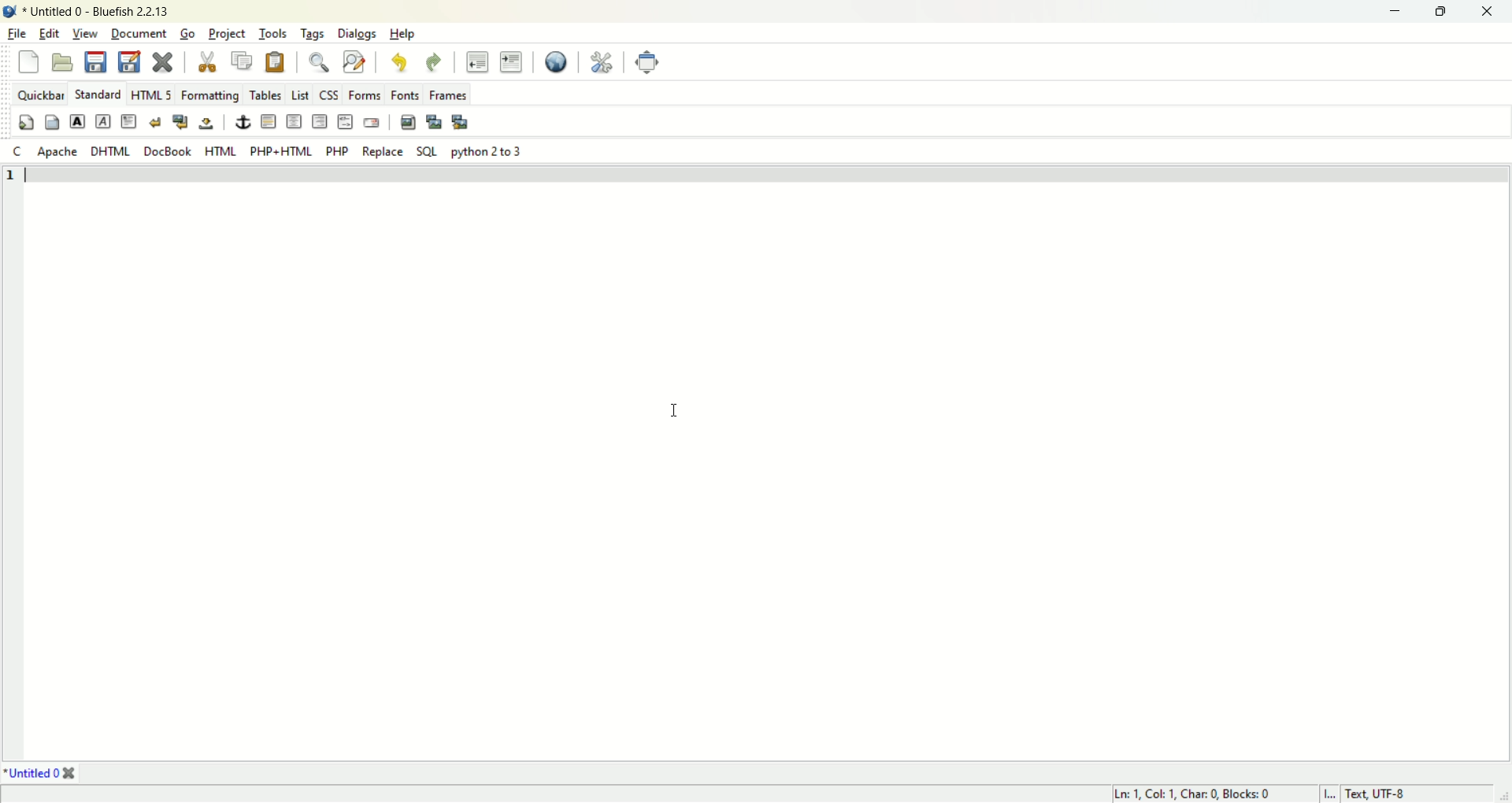  What do you see at coordinates (263, 95) in the screenshot?
I see `tables` at bounding box center [263, 95].